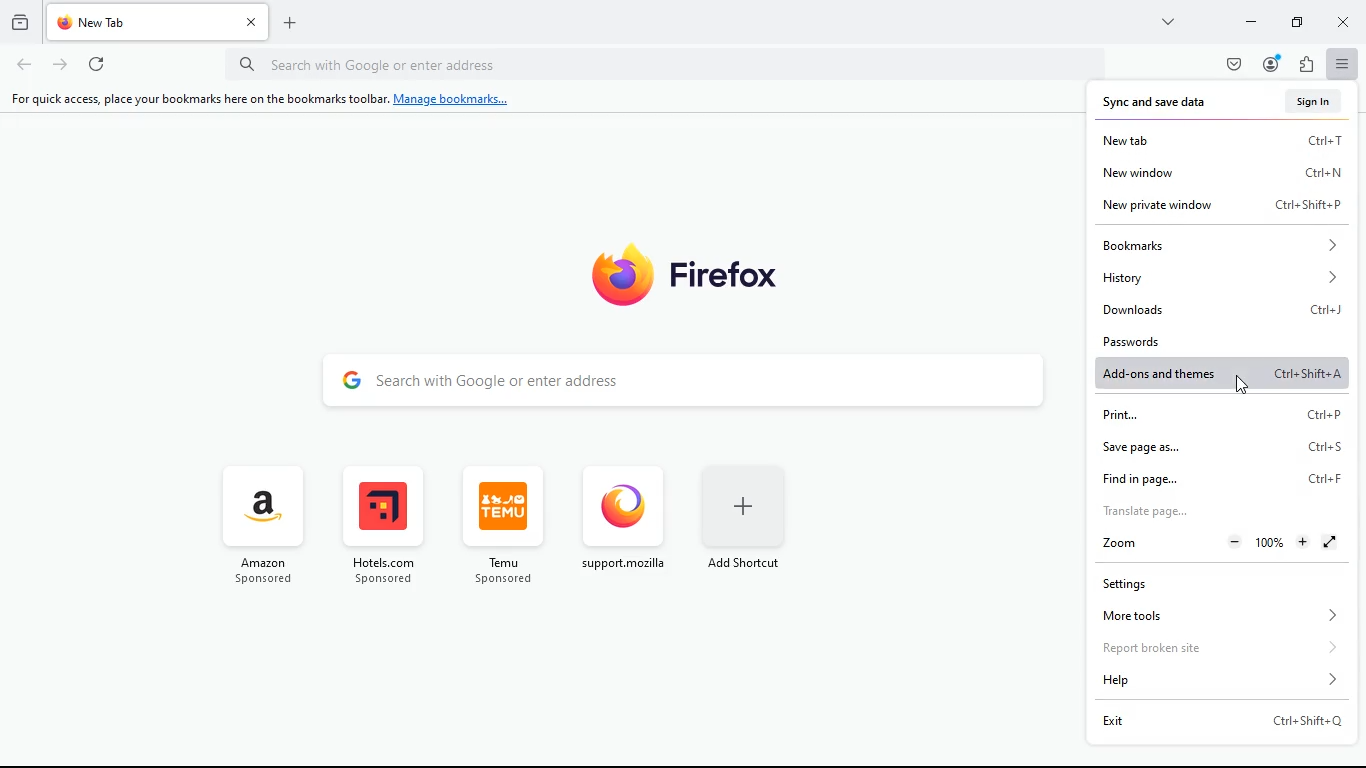 Image resolution: width=1366 pixels, height=768 pixels. I want to click on Manage bookmarks., so click(456, 99).